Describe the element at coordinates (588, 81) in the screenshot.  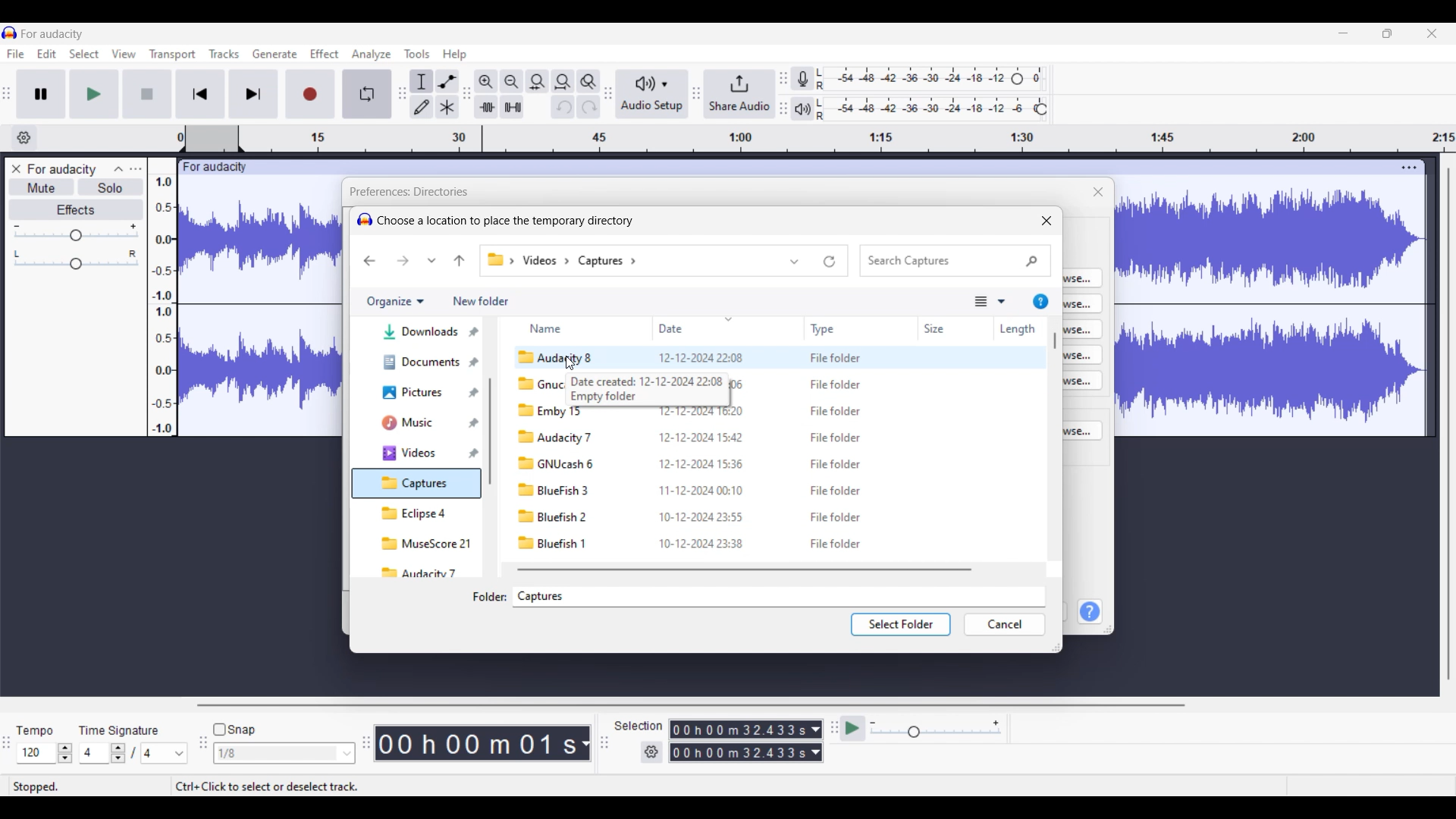
I see `Zoom toggle` at that location.